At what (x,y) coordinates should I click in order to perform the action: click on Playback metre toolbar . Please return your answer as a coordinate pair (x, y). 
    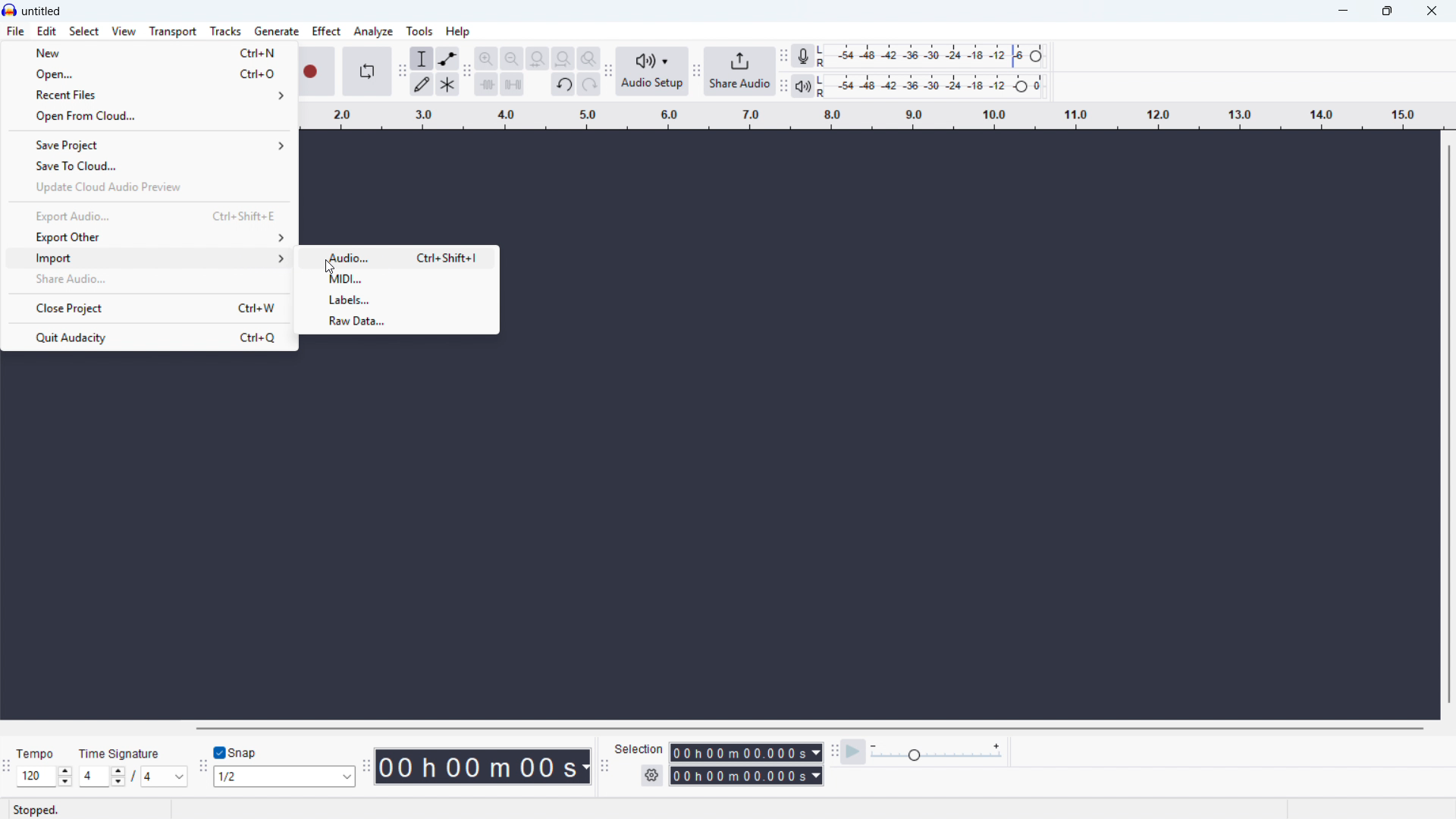
    Looking at the image, I should click on (784, 87).